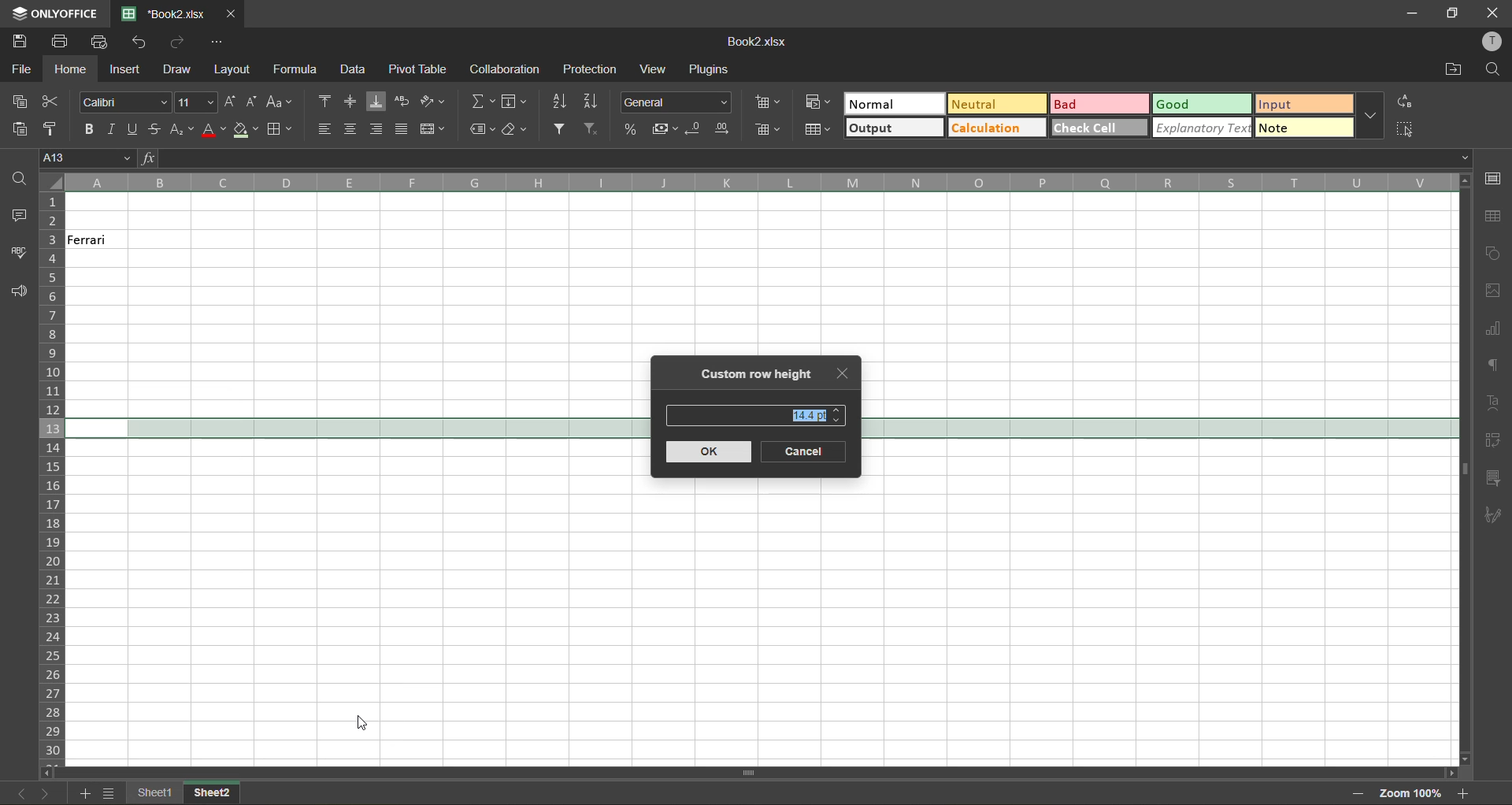  Describe the element at coordinates (278, 130) in the screenshot. I see `borders` at that location.